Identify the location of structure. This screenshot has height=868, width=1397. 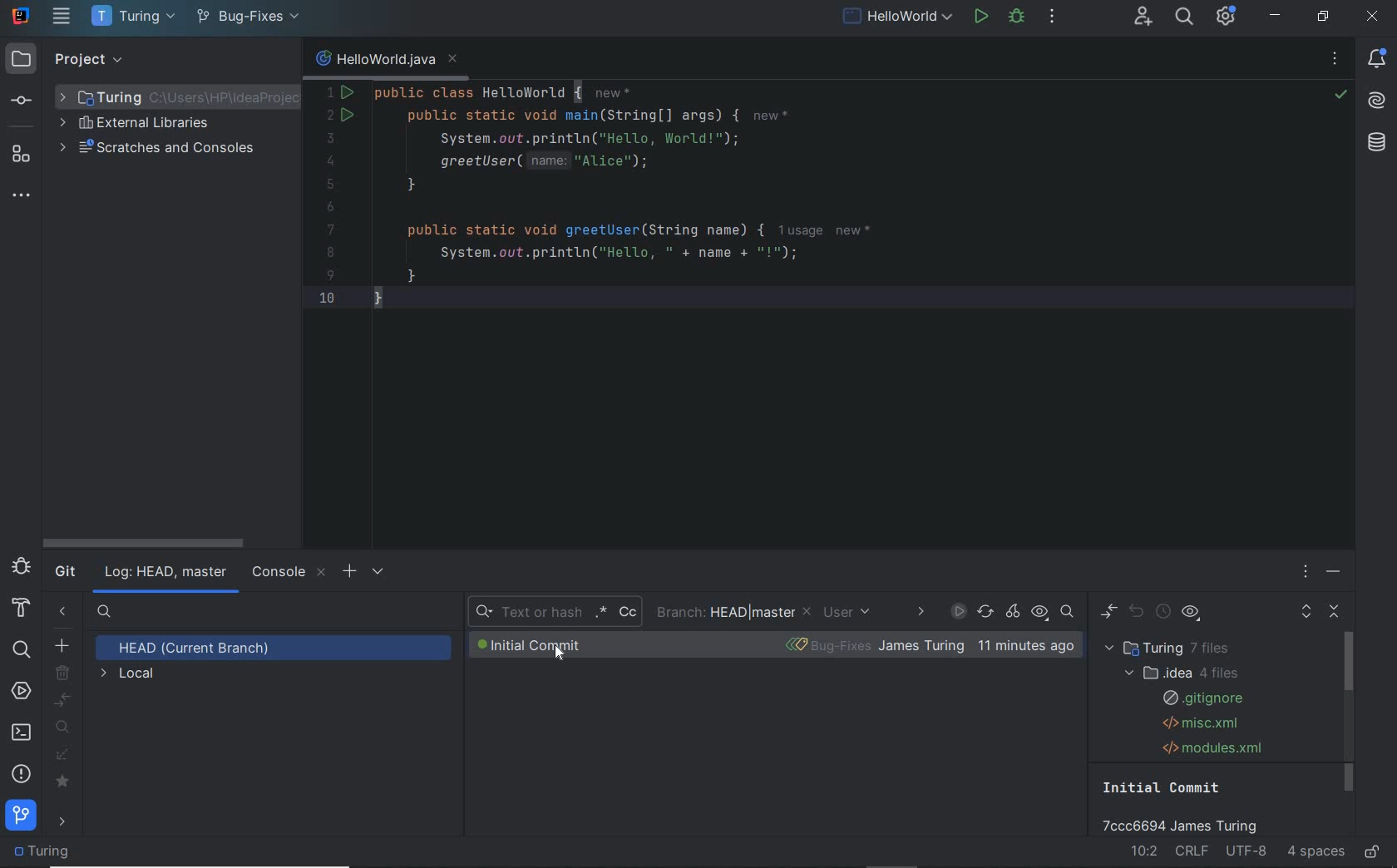
(22, 155).